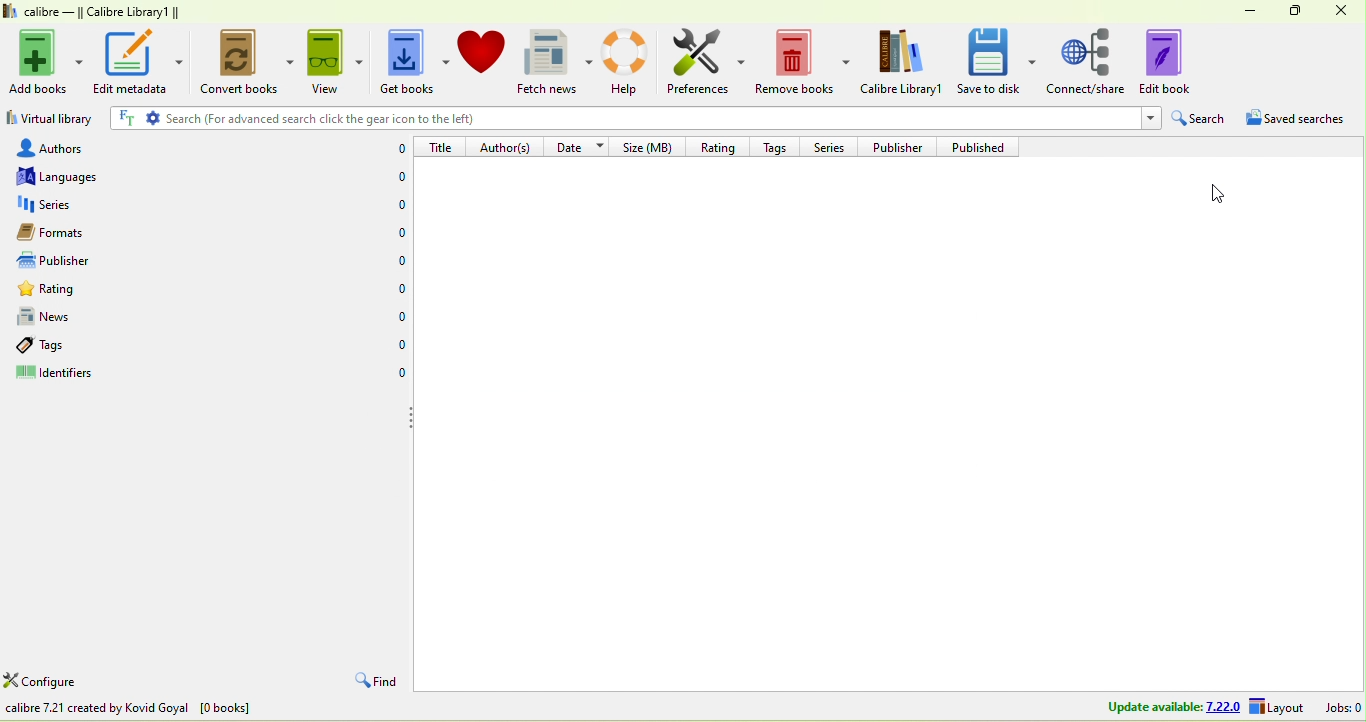  I want to click on save to disk, so click(997, 60).